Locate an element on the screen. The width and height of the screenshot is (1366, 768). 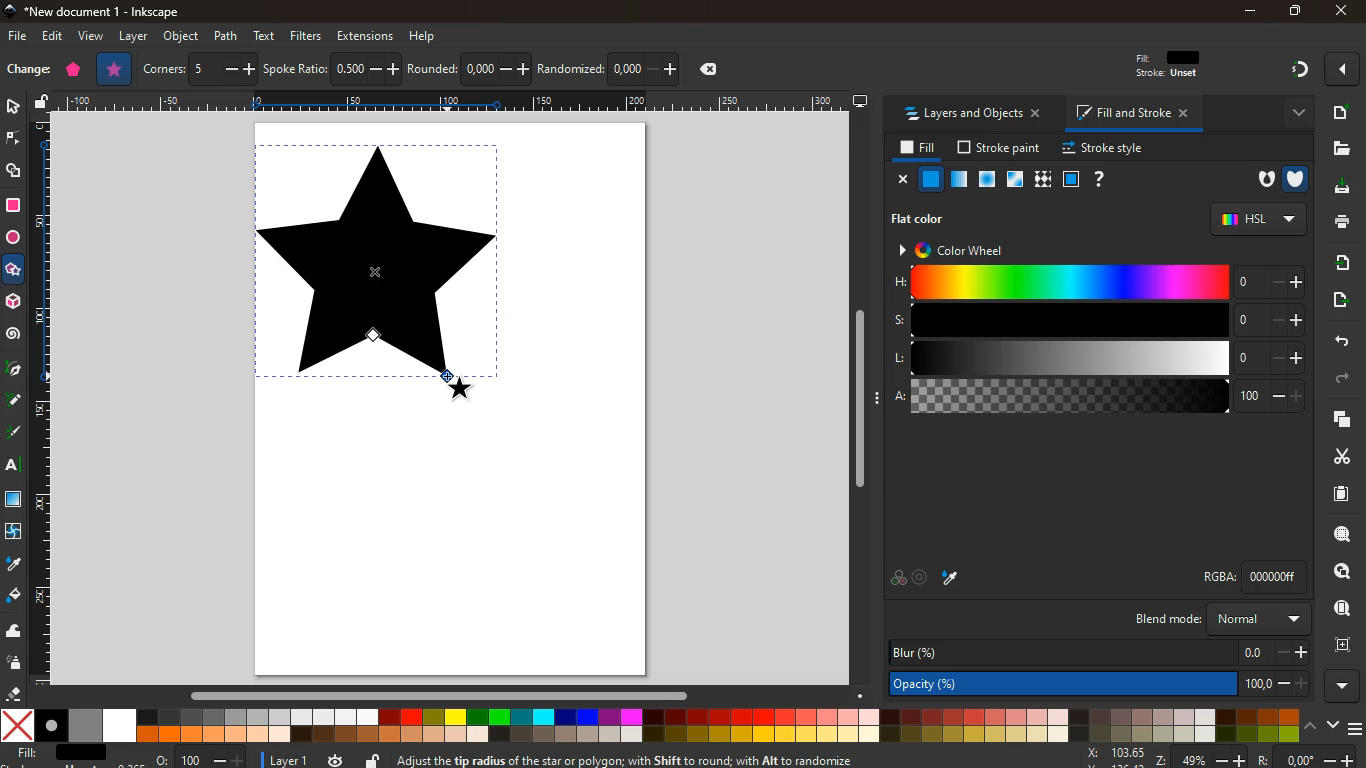
back is located at coordinates (1337, 342).